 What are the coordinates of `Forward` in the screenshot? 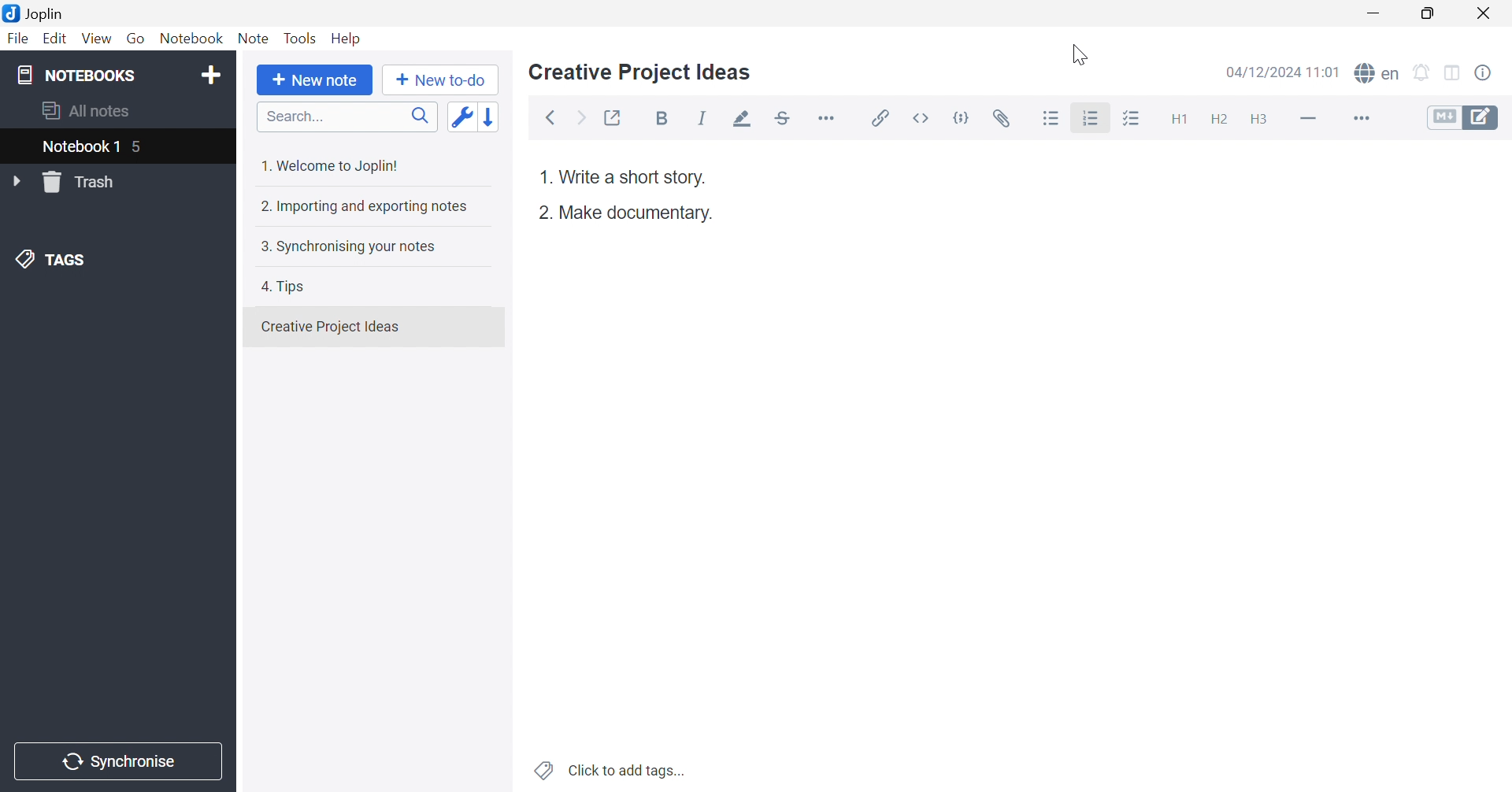 It's located at (580, 120).